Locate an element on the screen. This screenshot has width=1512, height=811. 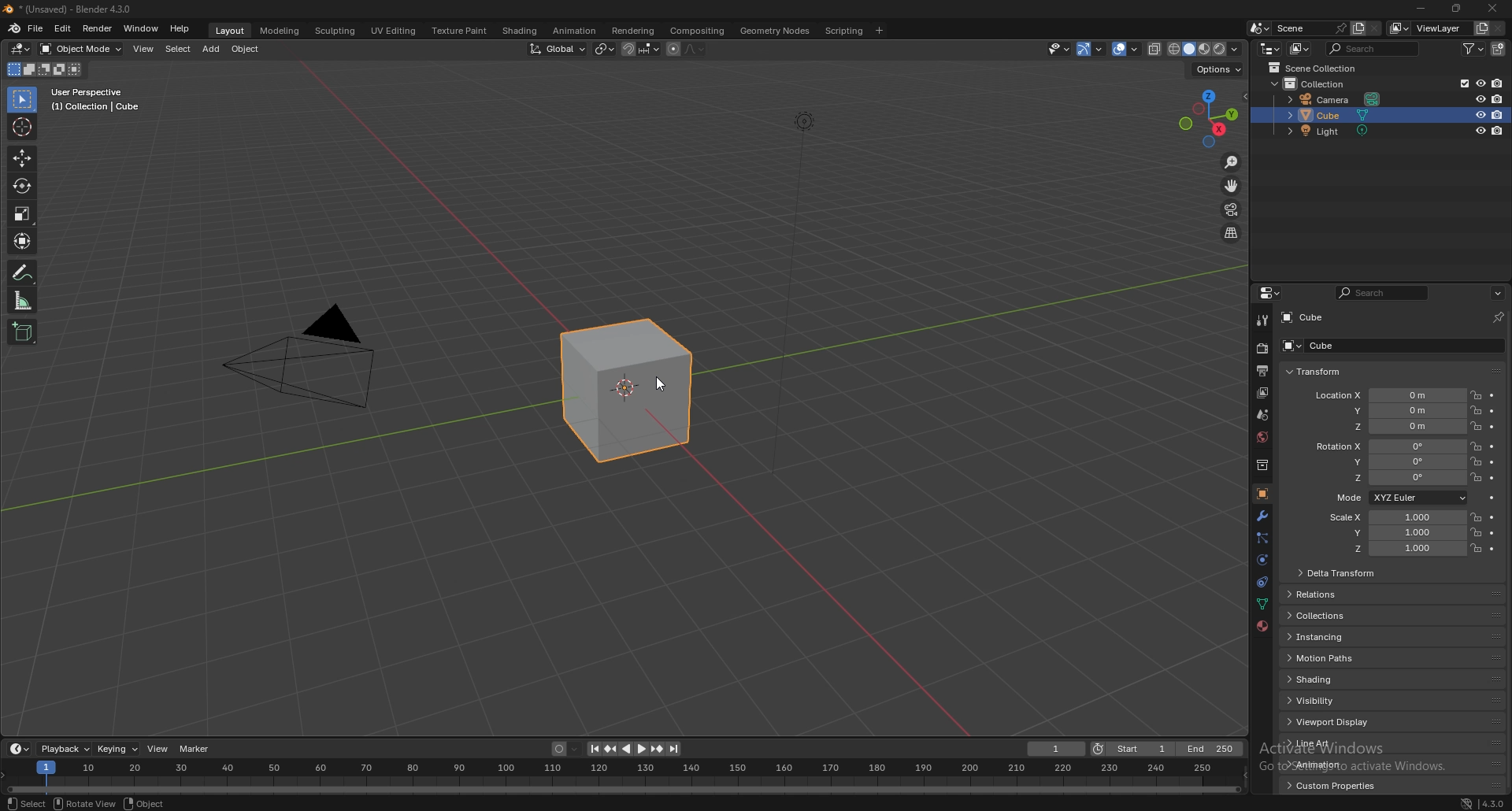
collection is located at coordinates (1259, 465).